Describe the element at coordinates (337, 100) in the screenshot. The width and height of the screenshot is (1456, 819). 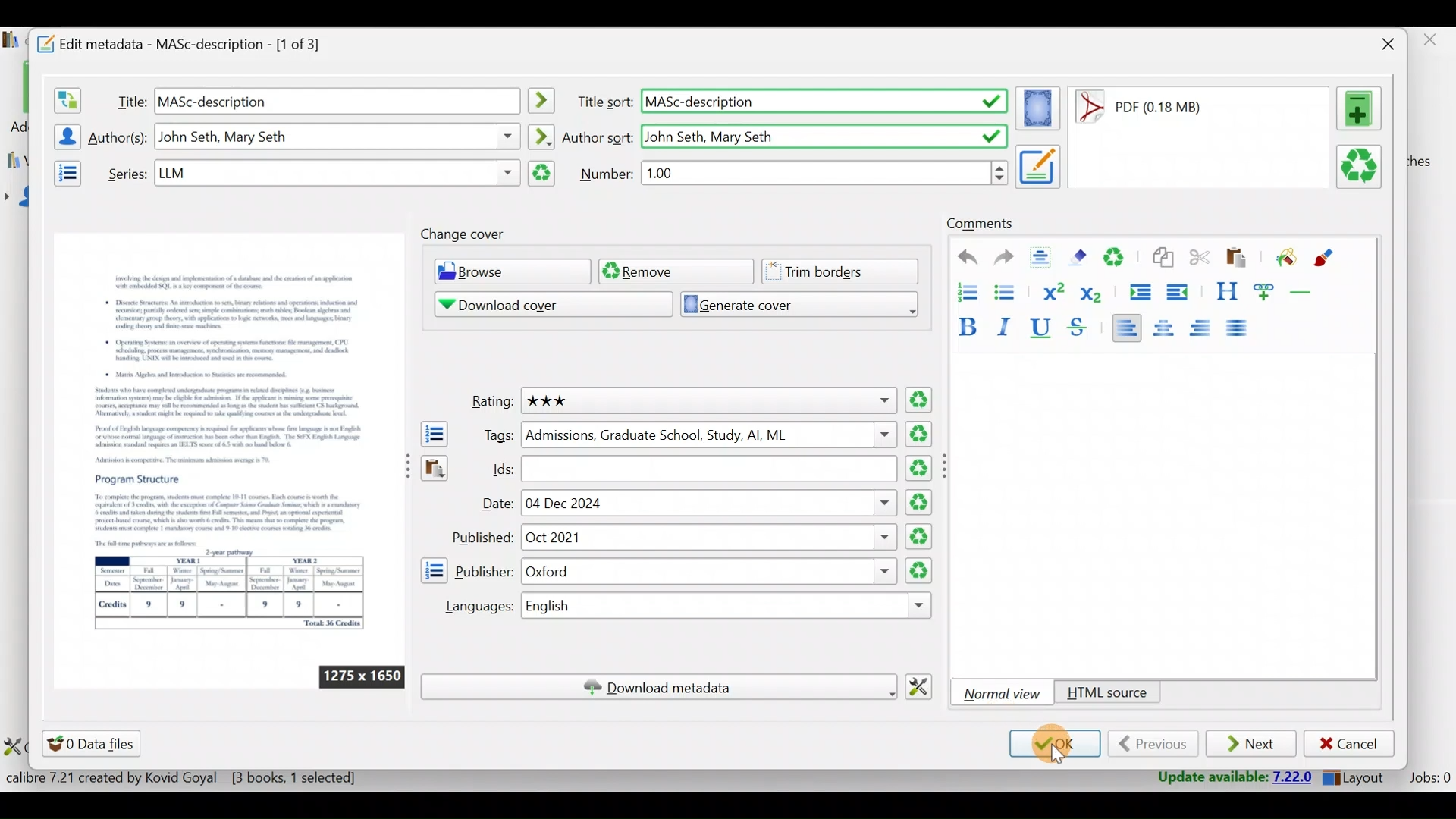
I see `` at that location.